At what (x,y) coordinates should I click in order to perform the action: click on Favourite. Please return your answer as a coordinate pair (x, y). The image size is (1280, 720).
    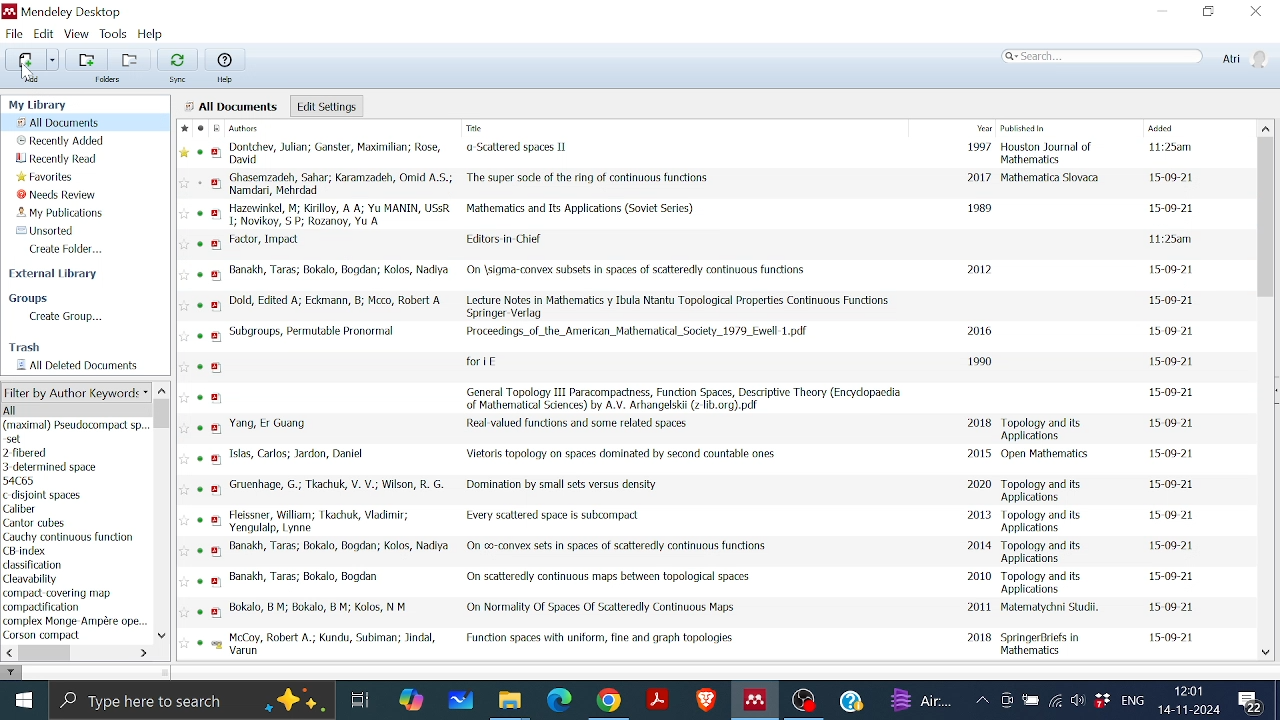
    Looking at the image, I should click on (182, 644).